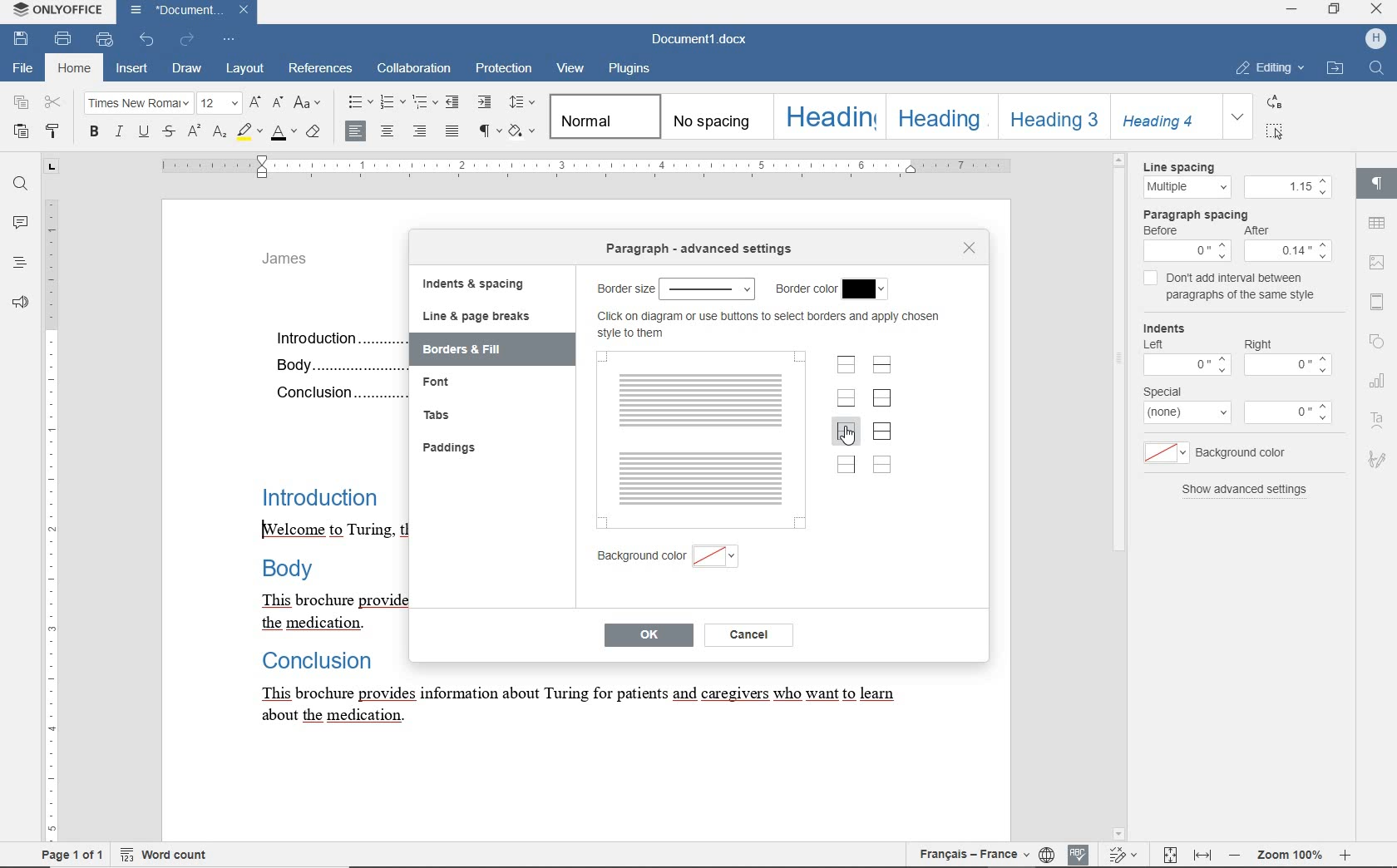  I want to click on checkbox, so click(1151, 280).